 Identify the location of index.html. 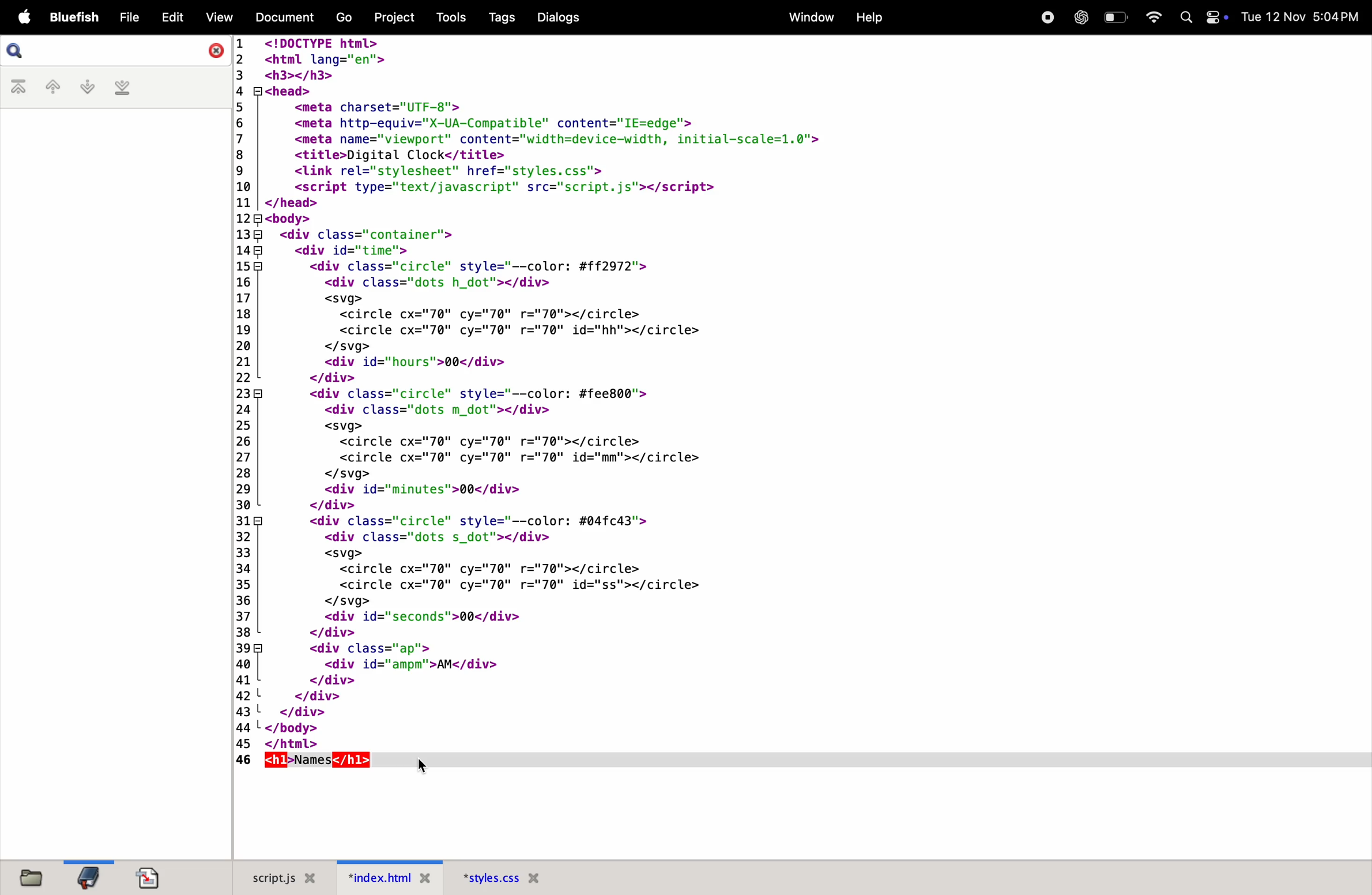
(385, 876).